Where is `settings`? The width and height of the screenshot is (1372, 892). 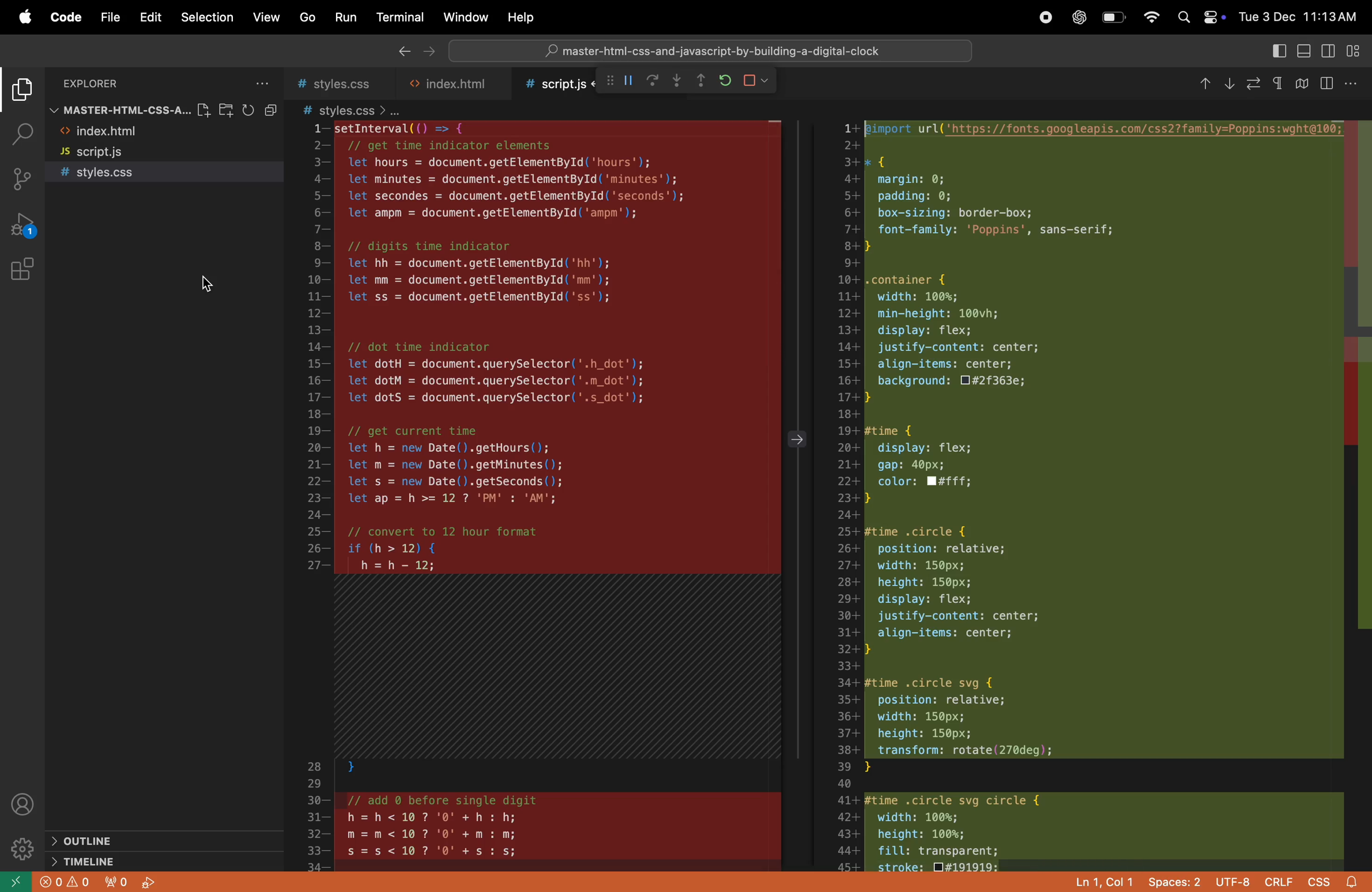
settings is located at coordinates (22, 846).